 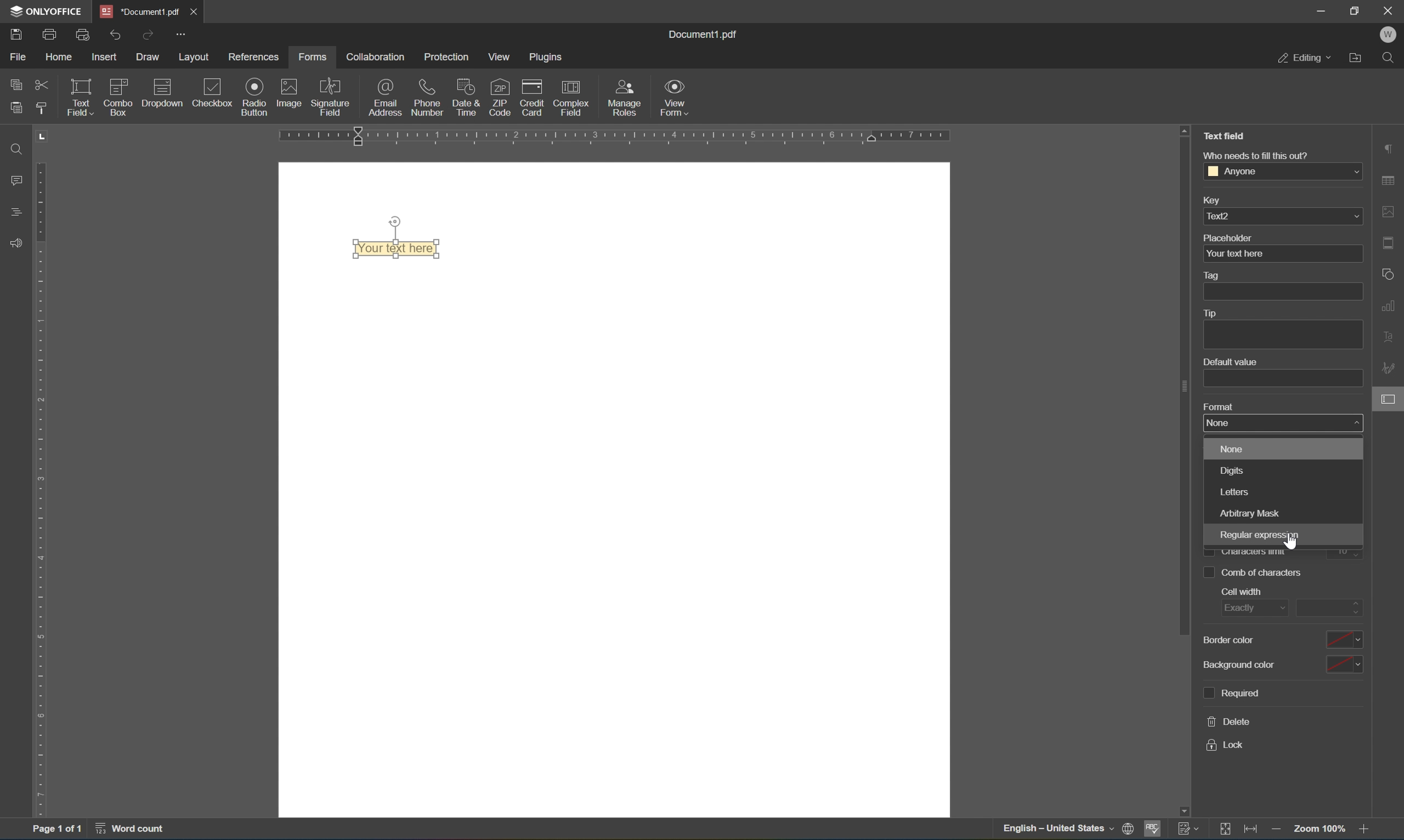 I want to click on restore down, so click(x=1356, y=10).